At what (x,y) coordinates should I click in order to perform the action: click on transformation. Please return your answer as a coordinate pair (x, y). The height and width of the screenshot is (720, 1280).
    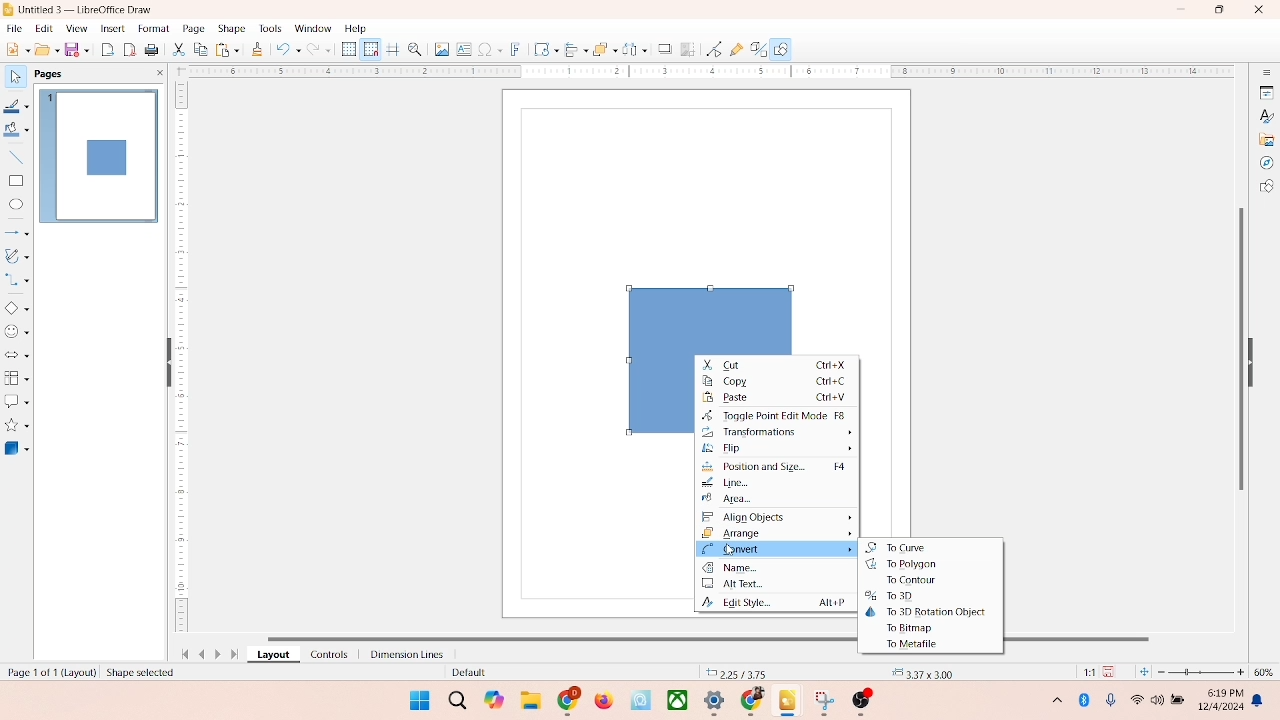
    Looking at the image, I should click on (776, 431).